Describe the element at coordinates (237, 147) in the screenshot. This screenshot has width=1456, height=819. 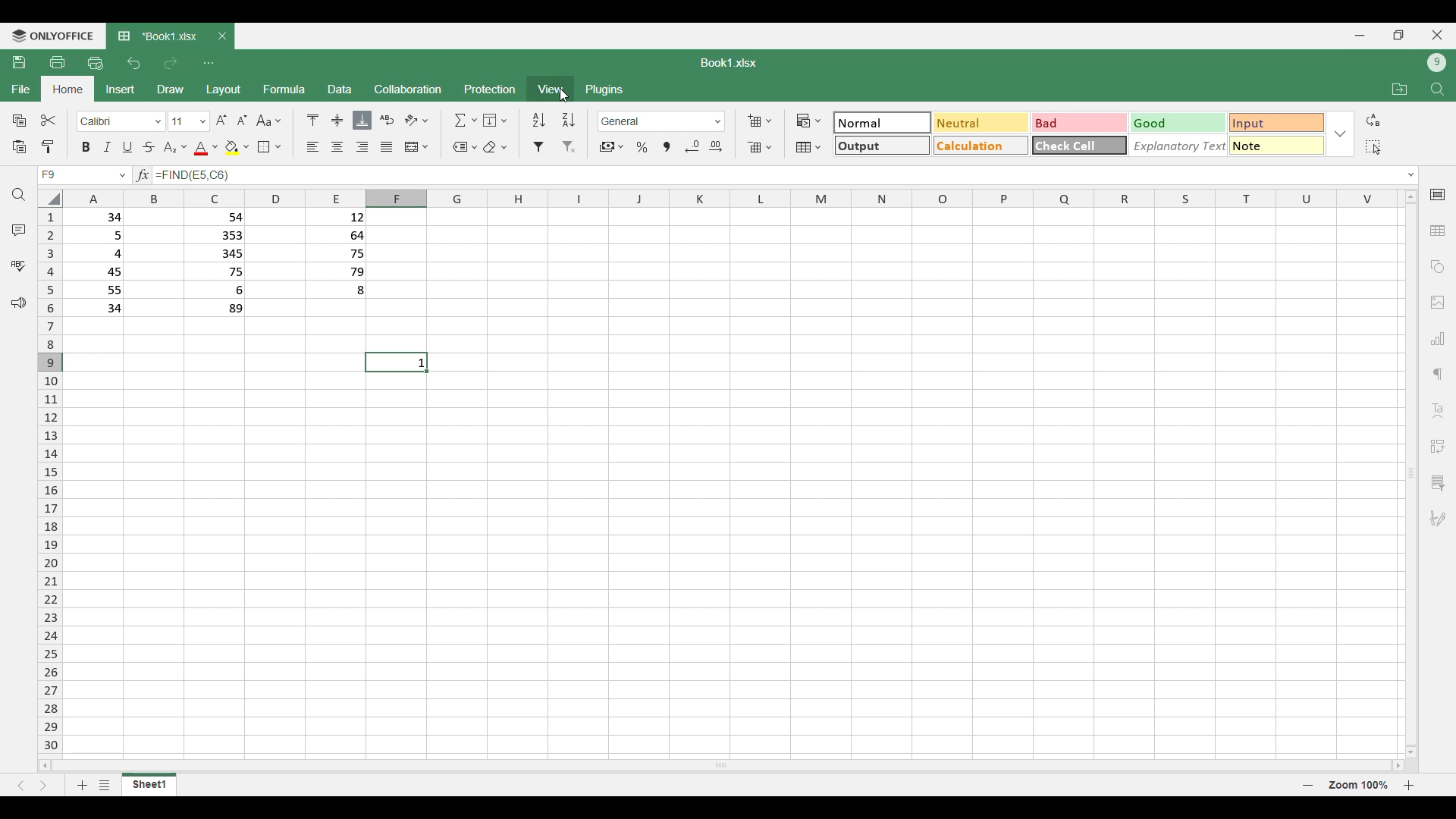
I see `Fill color` at that location.